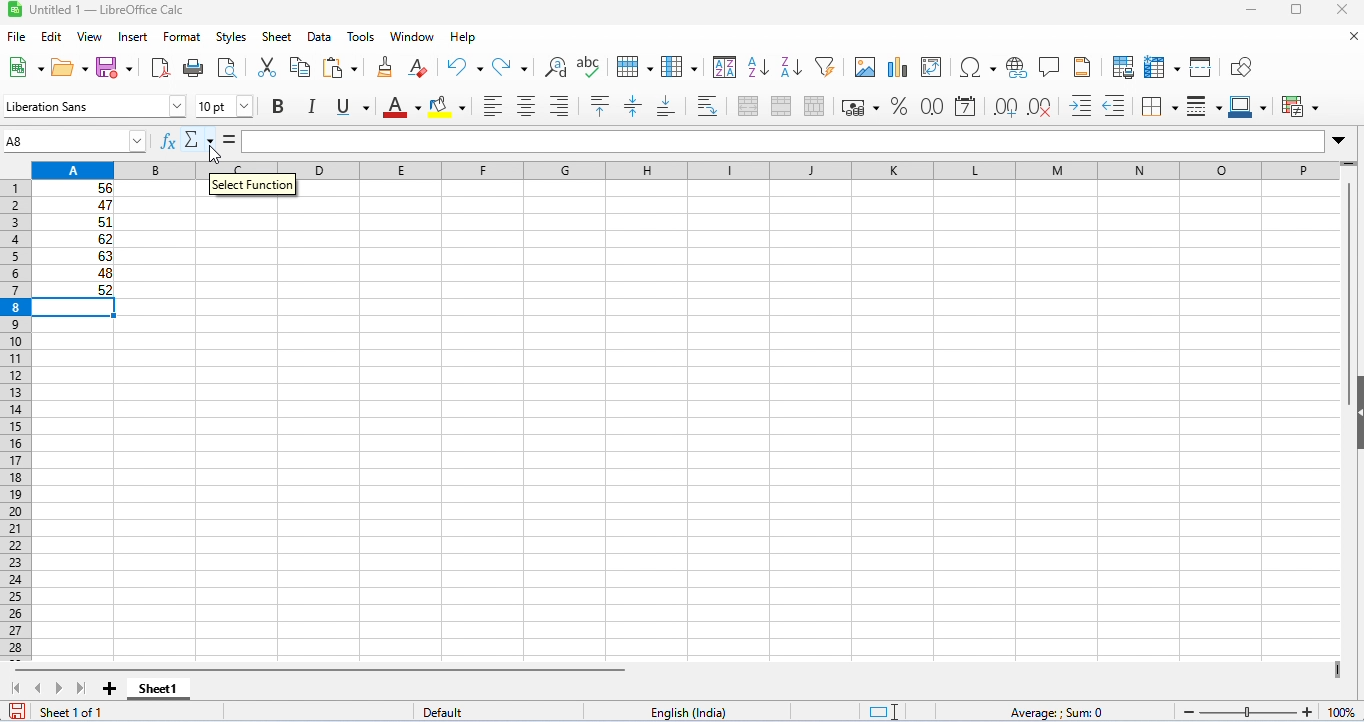 The image size is (1364, 722). Describe the element at coordinates (1242, 68) in the screenshot. I see `show draw functions` at that location.